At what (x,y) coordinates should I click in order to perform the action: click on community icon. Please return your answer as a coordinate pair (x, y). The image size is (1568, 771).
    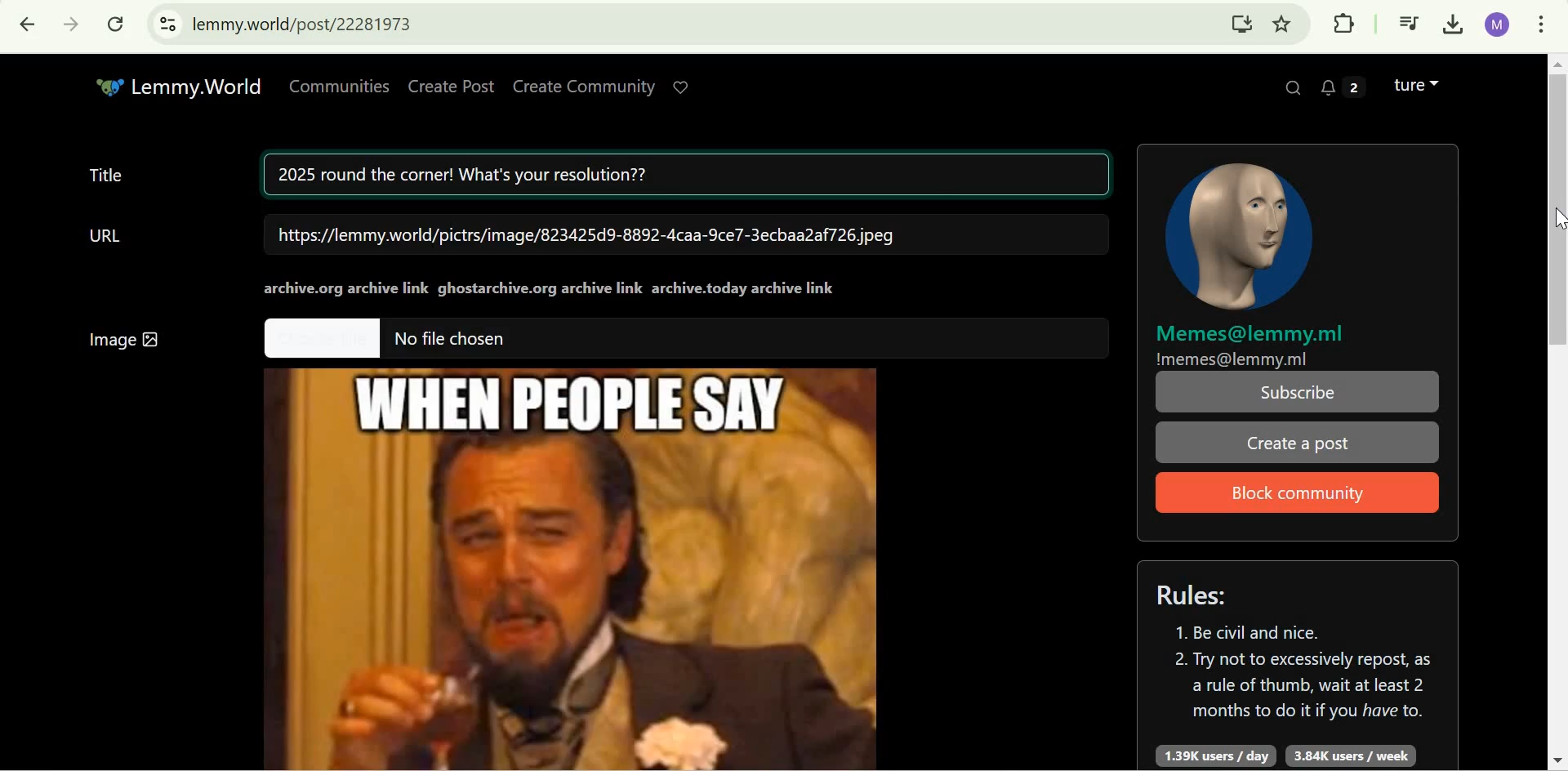
    Looking at the image, I should click on (1243, 234).